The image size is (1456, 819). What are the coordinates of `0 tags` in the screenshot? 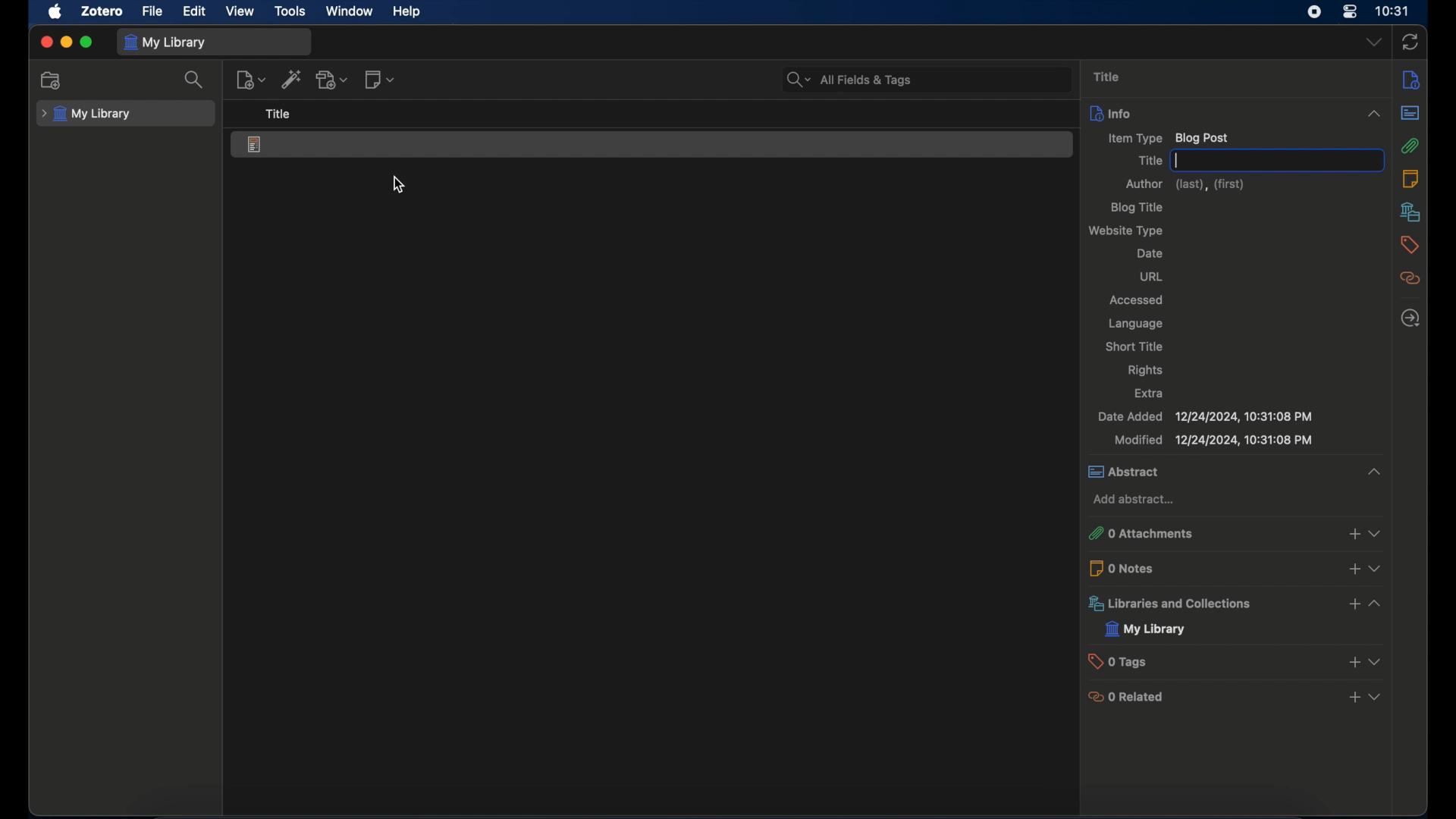 It's located at (1238, 661).